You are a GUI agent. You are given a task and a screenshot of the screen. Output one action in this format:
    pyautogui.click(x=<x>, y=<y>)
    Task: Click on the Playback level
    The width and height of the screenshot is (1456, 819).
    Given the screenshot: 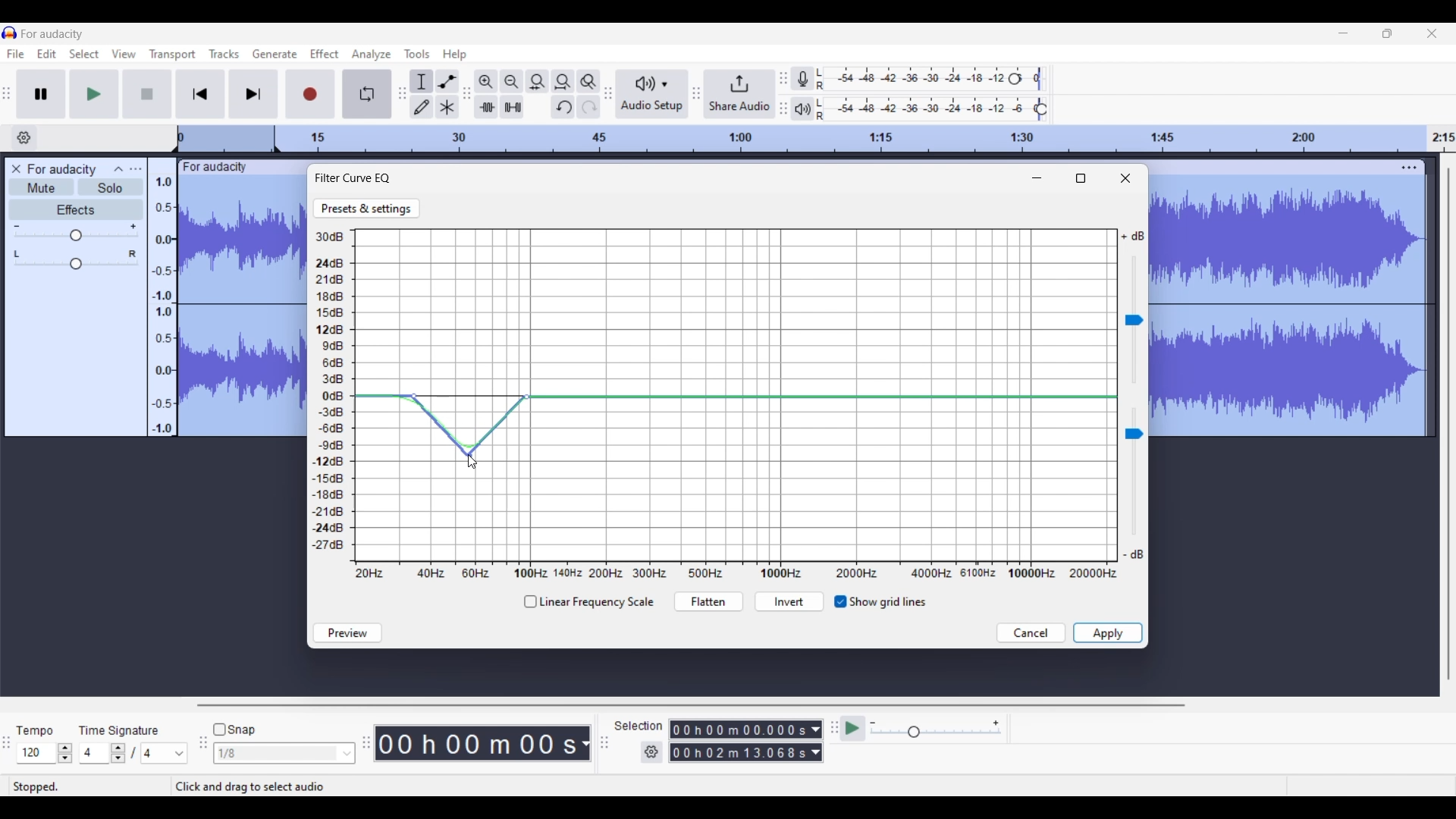 What is the action you would take?
    pyautogui.click(x=929, y=109)
    